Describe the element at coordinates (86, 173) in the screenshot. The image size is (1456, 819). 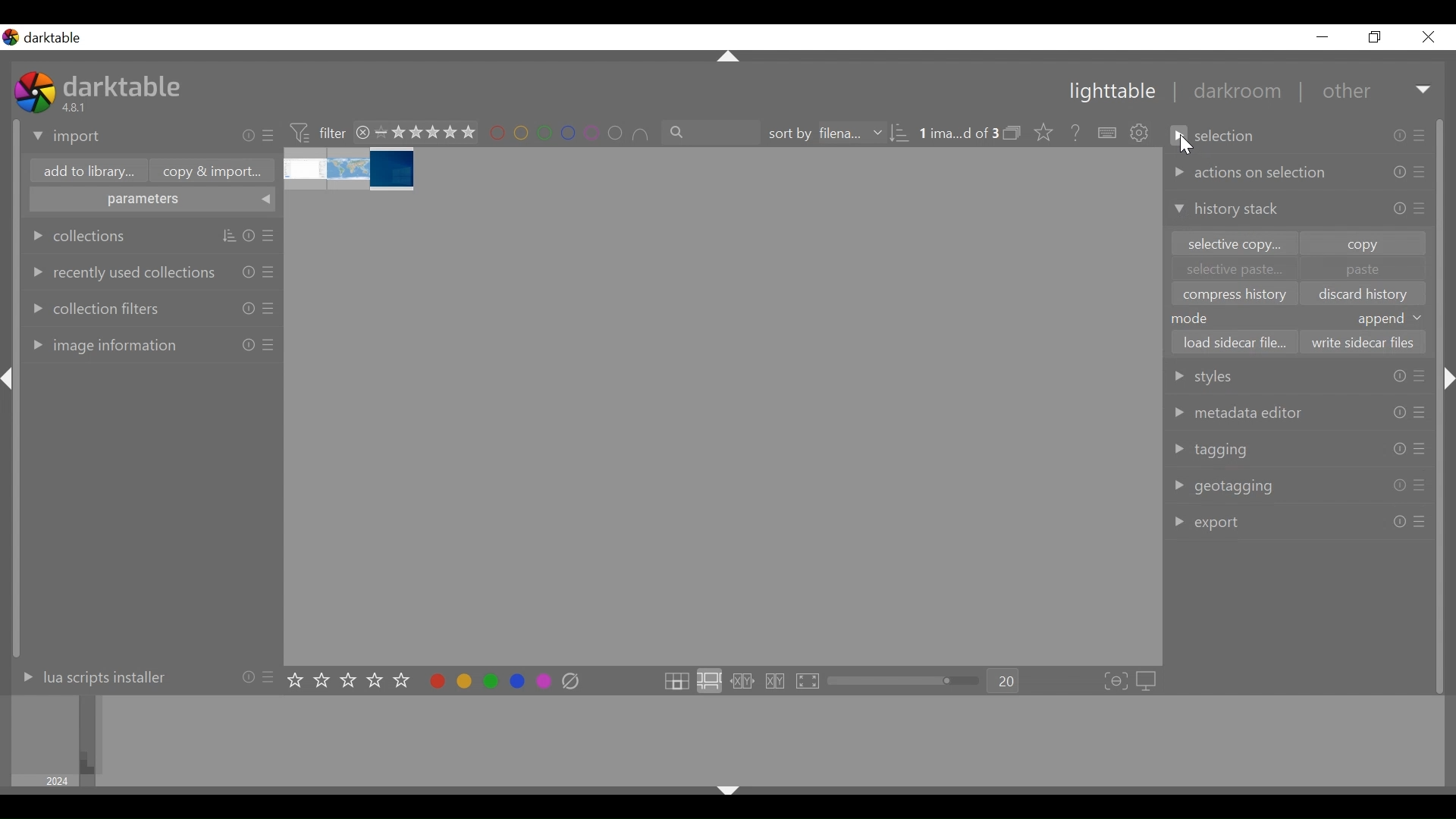
I see `add to library` at that location.